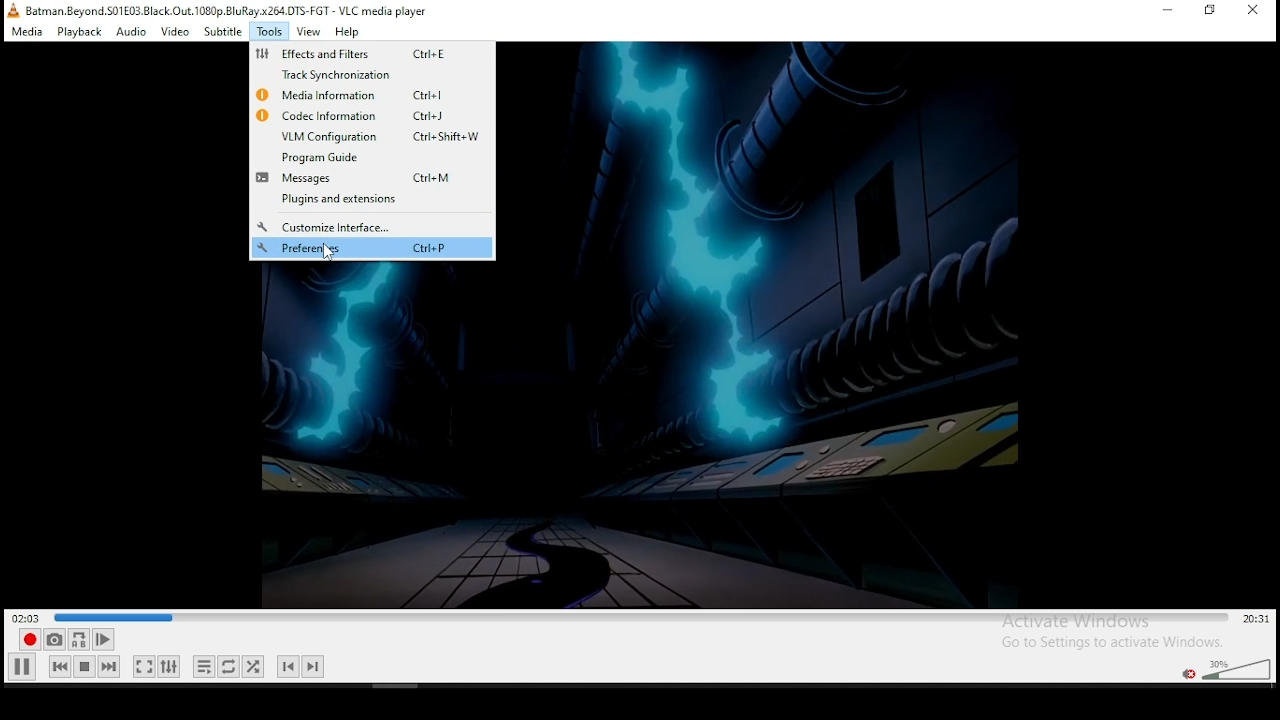  Describe the element at coordinates (28, 617) in the screenshot. I see `elapsed time` at that location.